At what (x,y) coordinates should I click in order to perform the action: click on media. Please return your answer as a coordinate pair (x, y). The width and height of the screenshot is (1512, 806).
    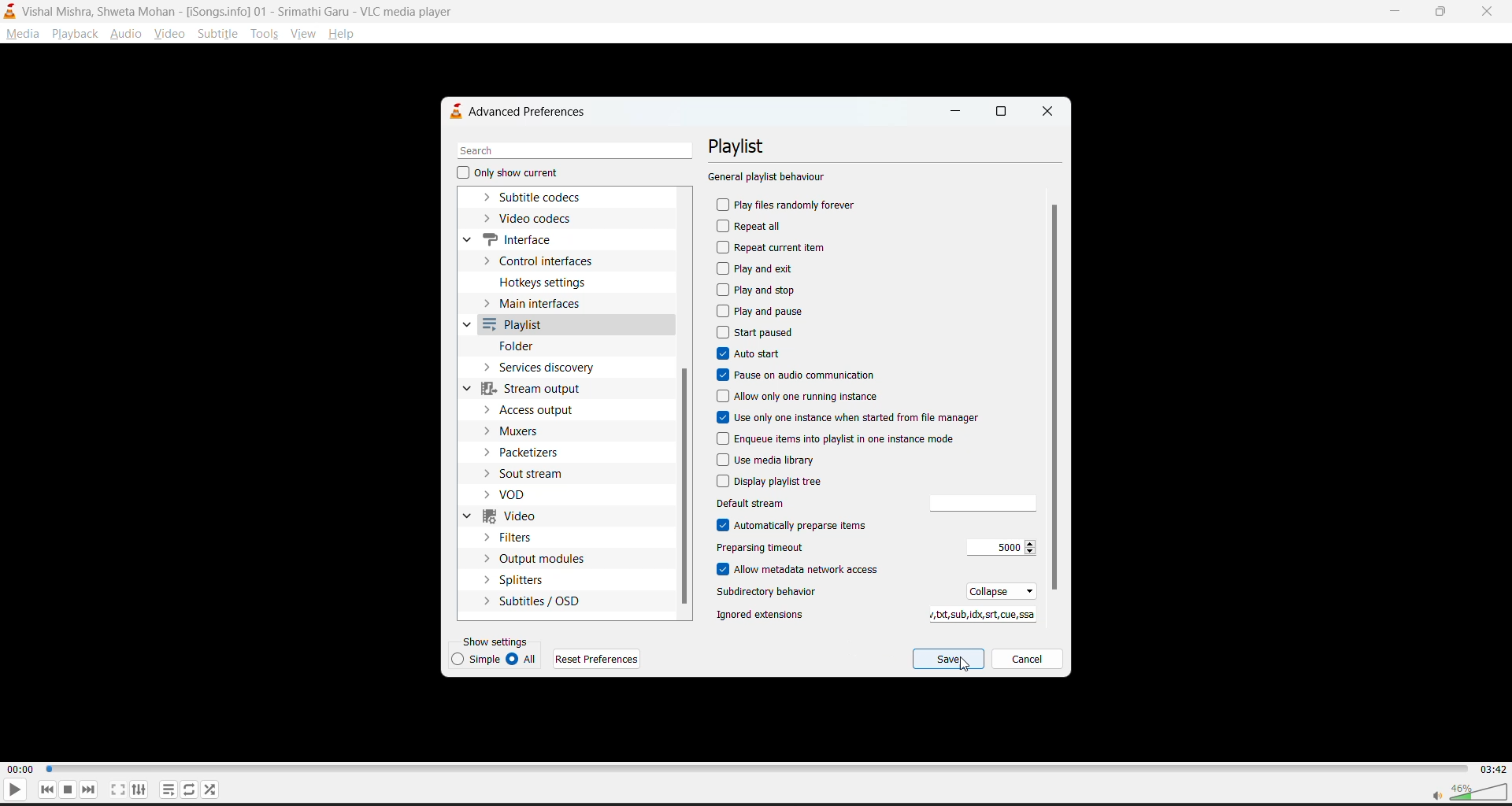
    Looking at the image, I should click on (20, 32).